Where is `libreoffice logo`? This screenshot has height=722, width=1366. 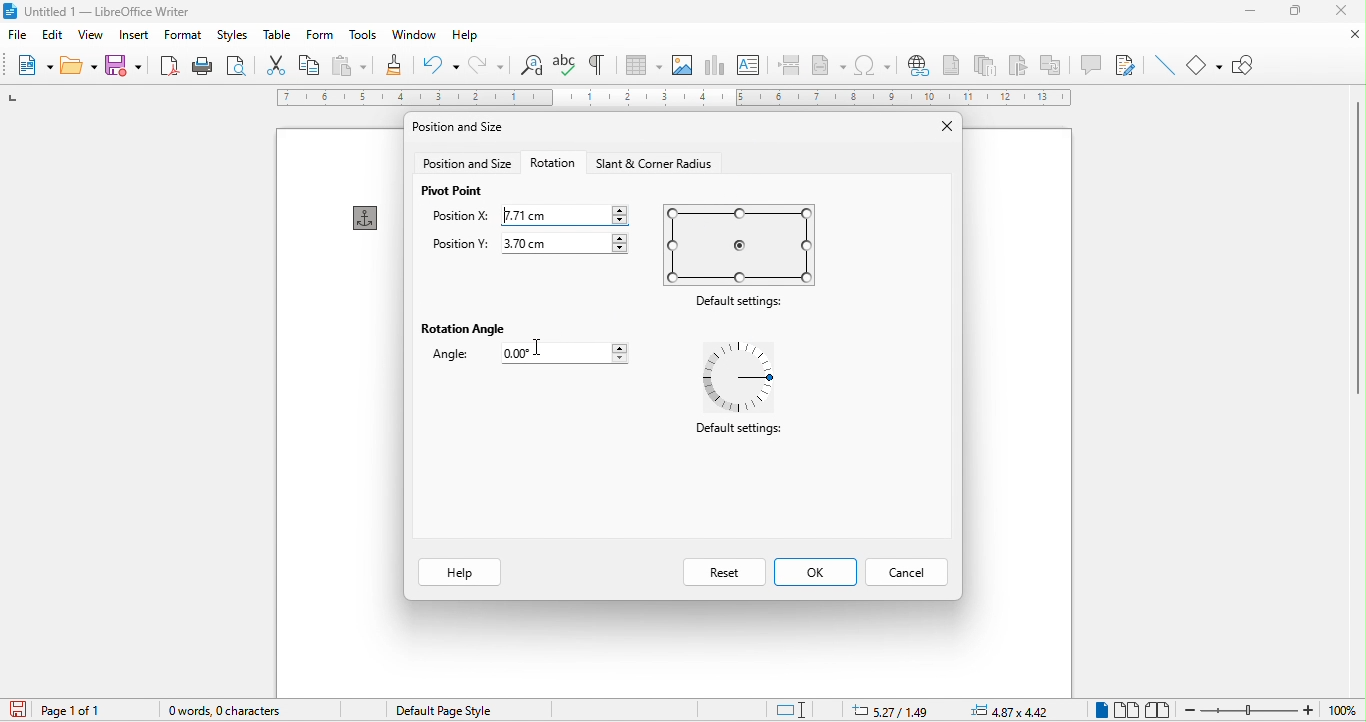 libreoffice logo is located at coordinates (10, 11).